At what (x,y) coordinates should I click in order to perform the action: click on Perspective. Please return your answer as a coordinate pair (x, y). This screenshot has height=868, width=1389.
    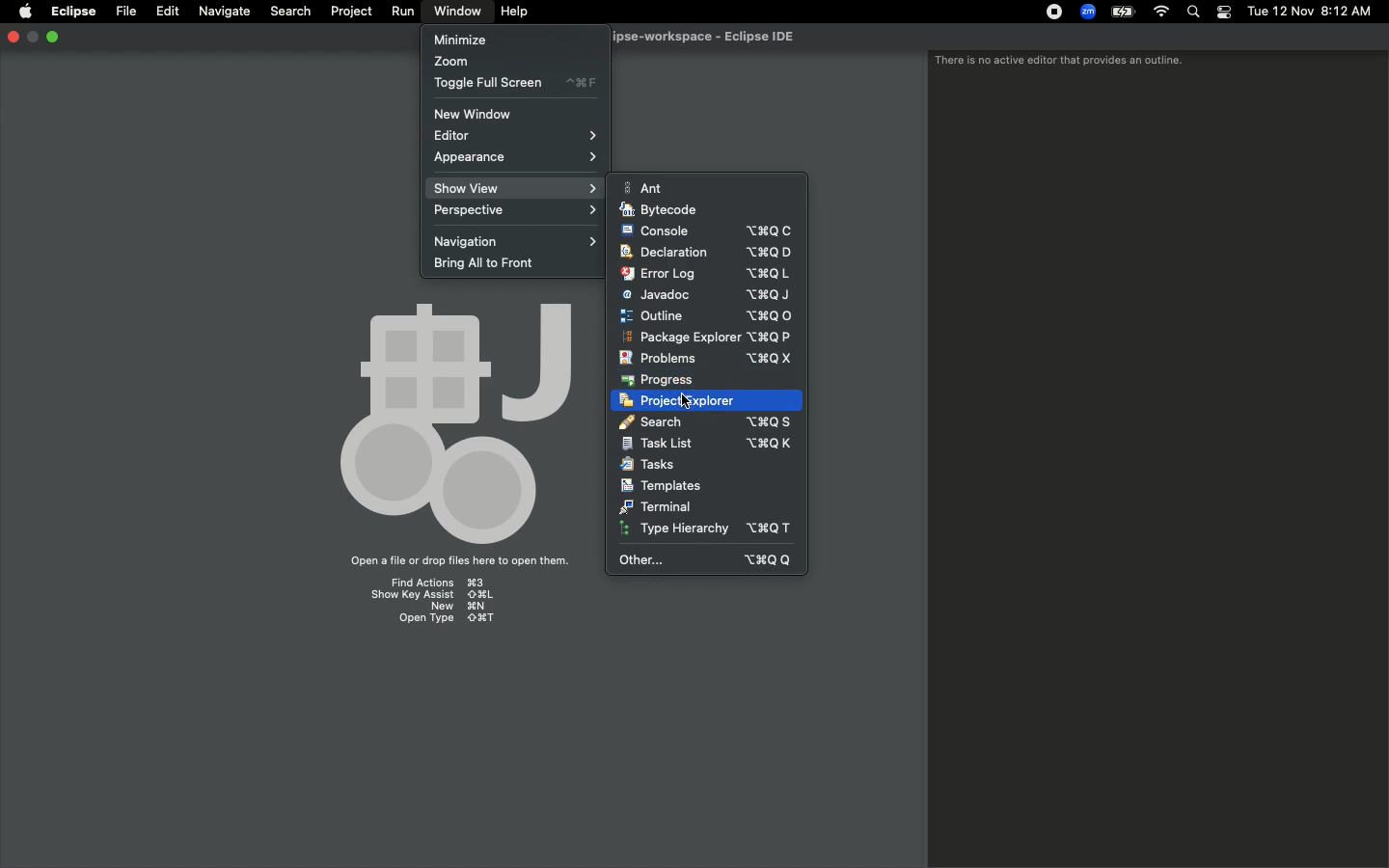
    Looking at the image, I should click on (512, 214).